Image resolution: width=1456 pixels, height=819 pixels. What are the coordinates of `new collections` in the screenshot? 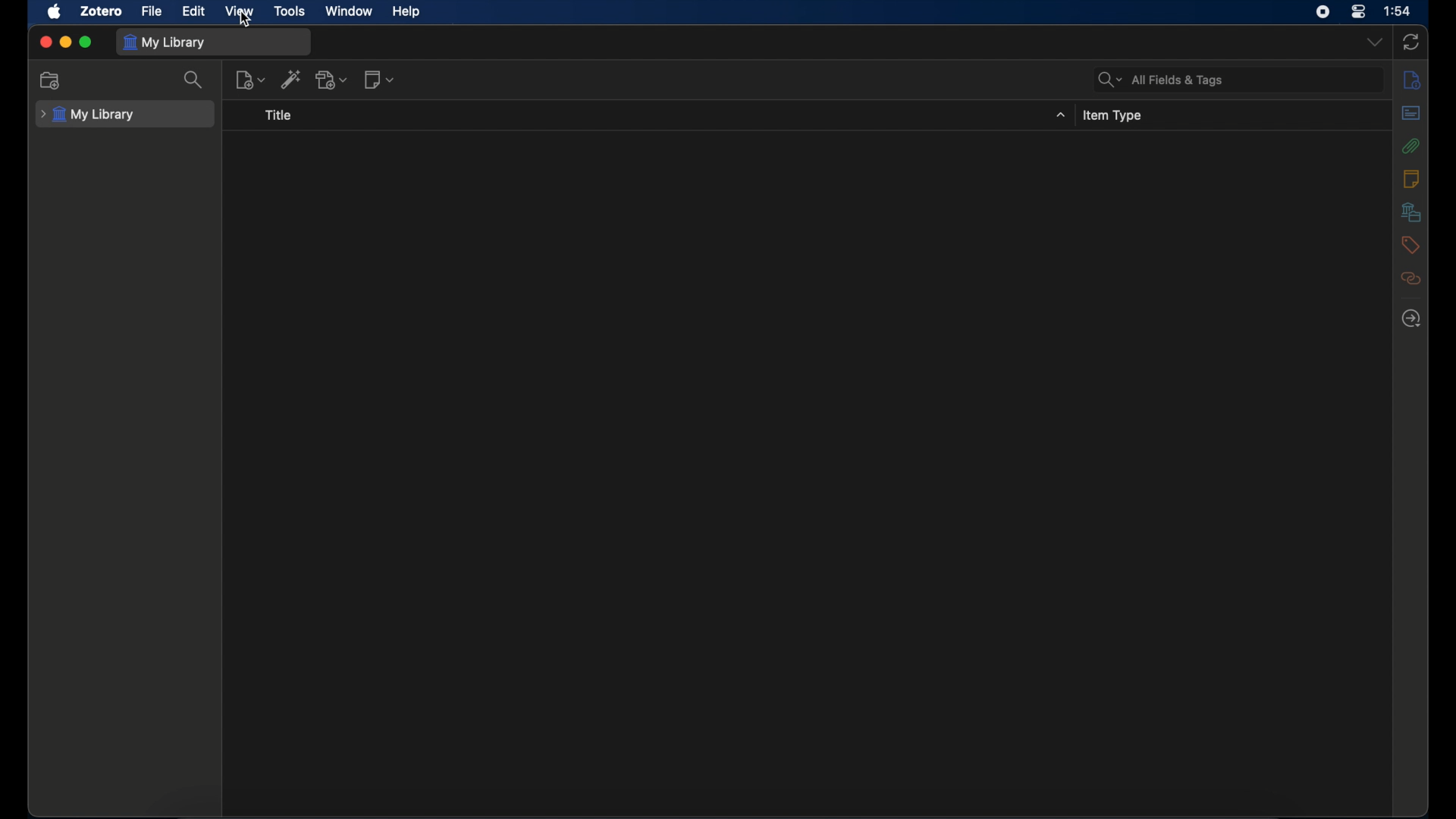 It's located at (52, 80).